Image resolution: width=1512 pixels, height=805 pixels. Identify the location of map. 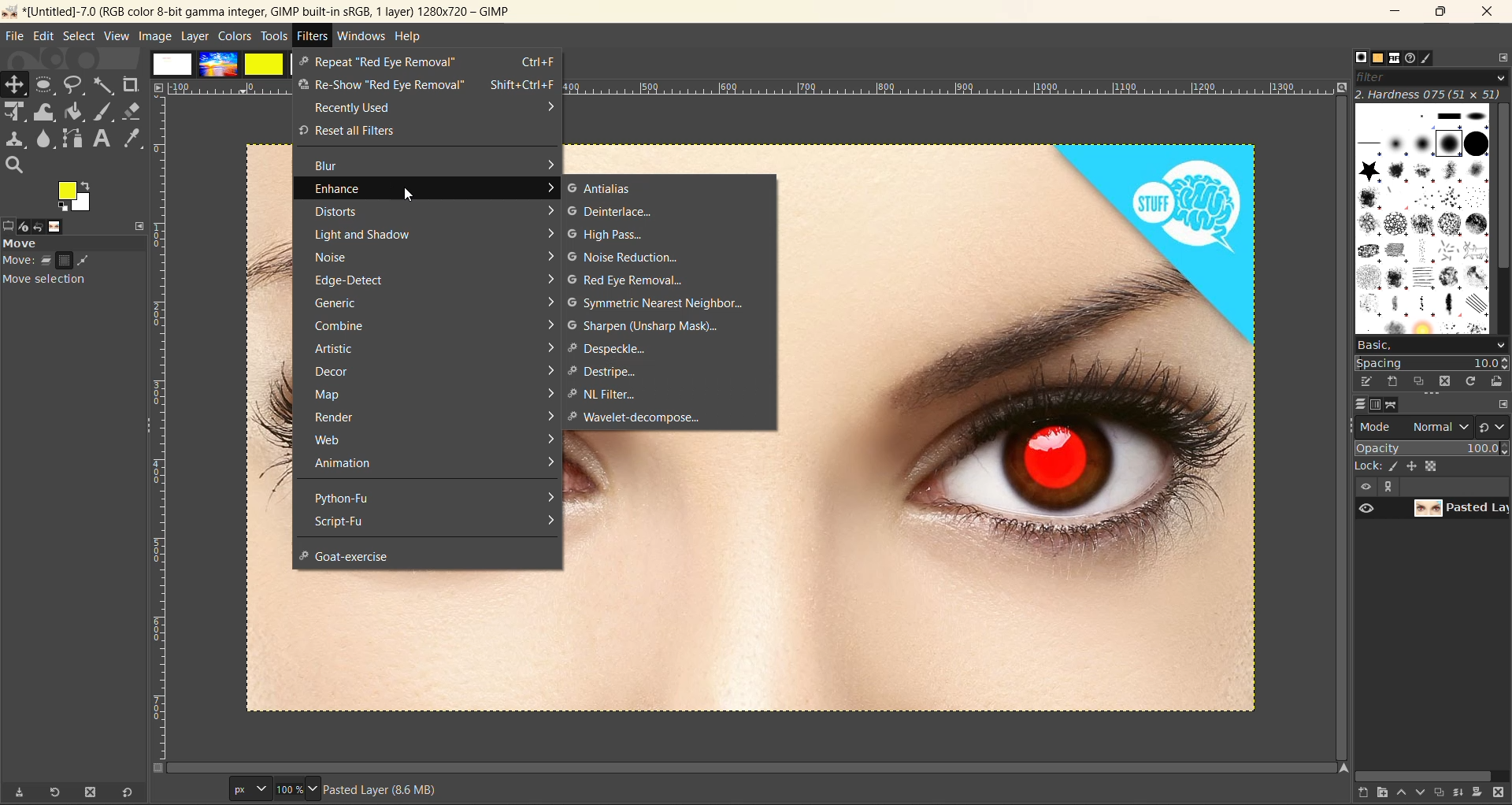
(426, 393).